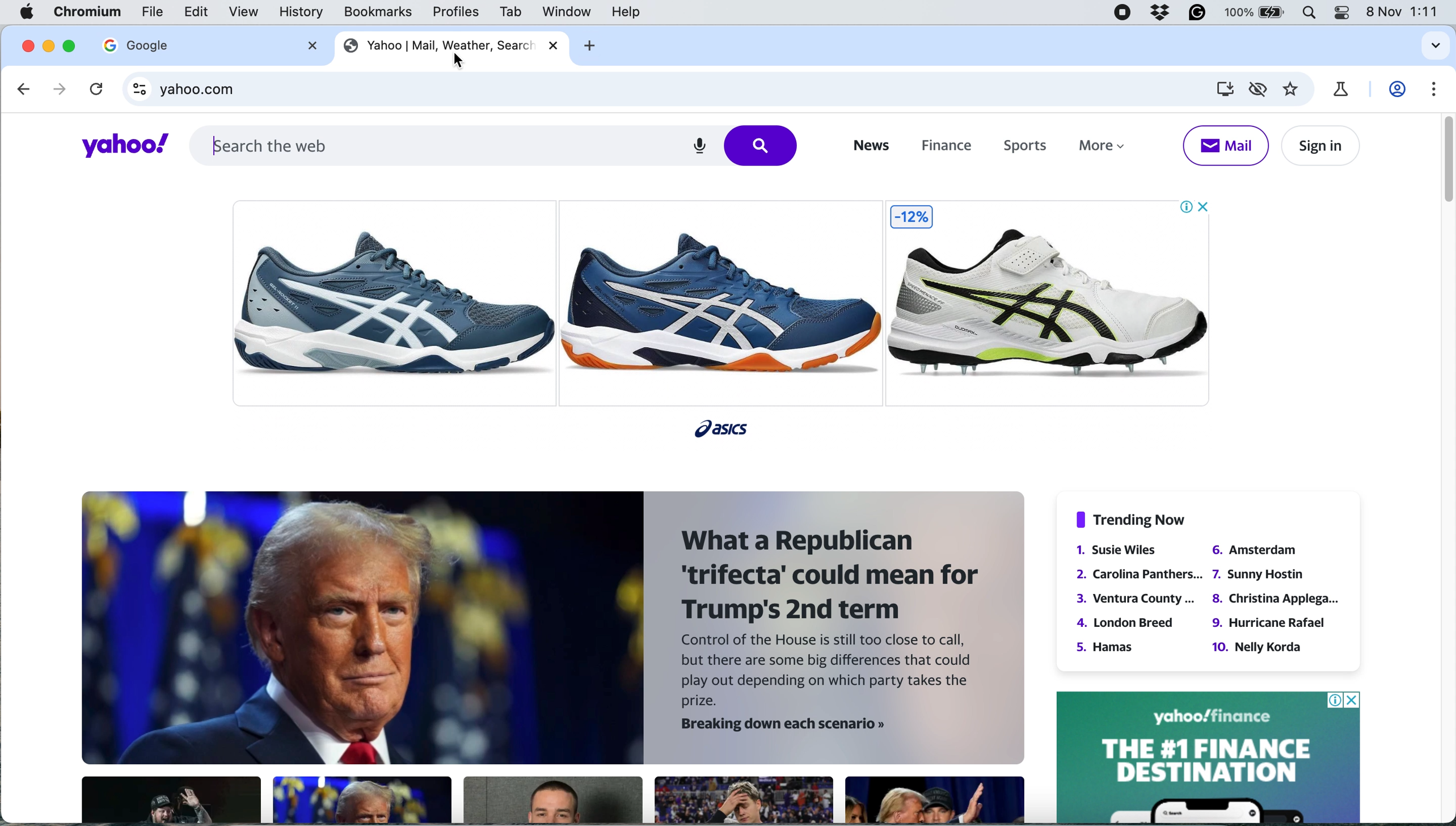 This screenshot has height=826, width=1456. What do you see at coordinates (1309, 14) in the screenshot?
I see `spotlight search` at bounding box center [1309, 14].